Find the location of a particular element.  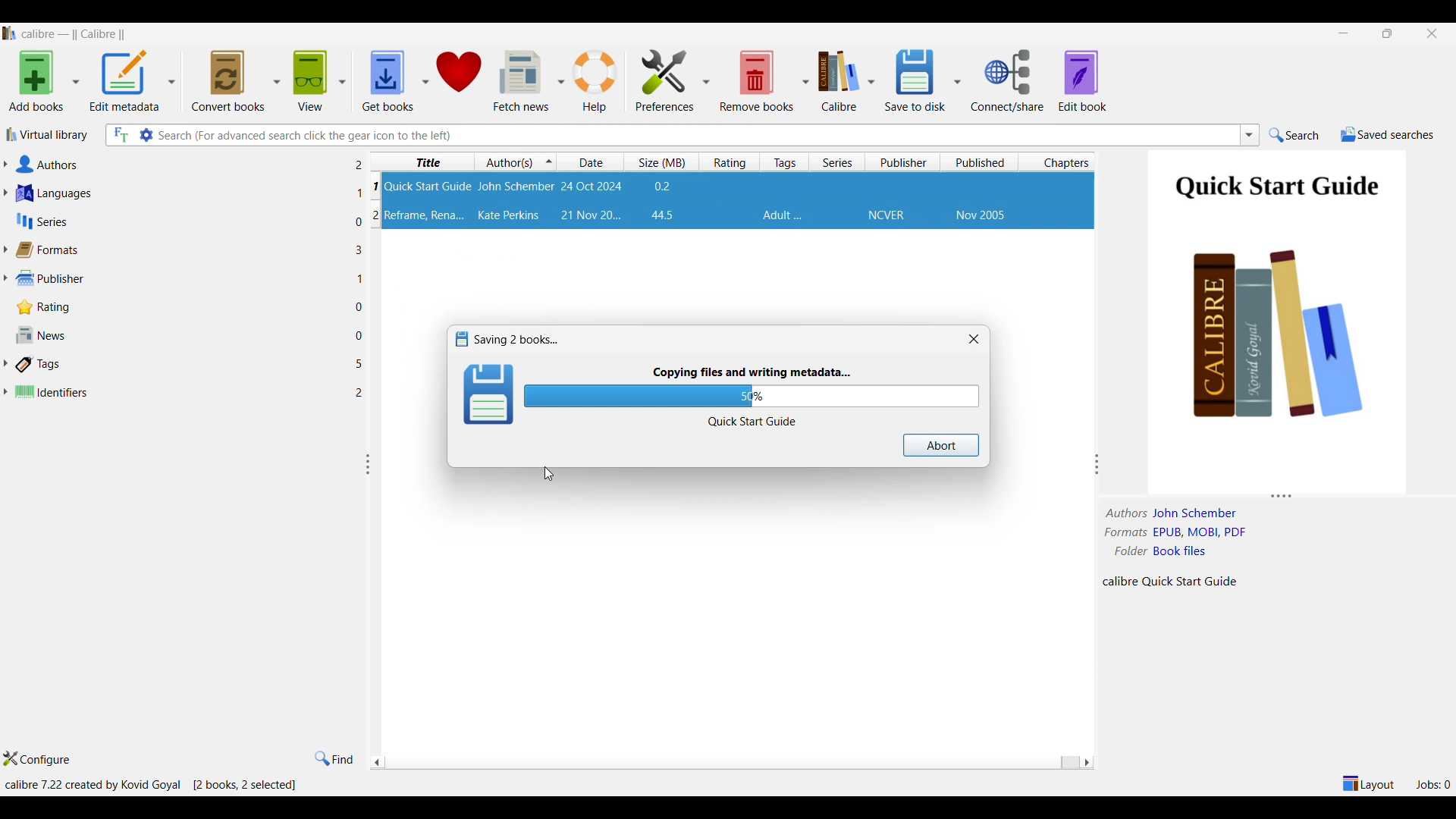

Virtual library  is located at coordinates (48, 134).